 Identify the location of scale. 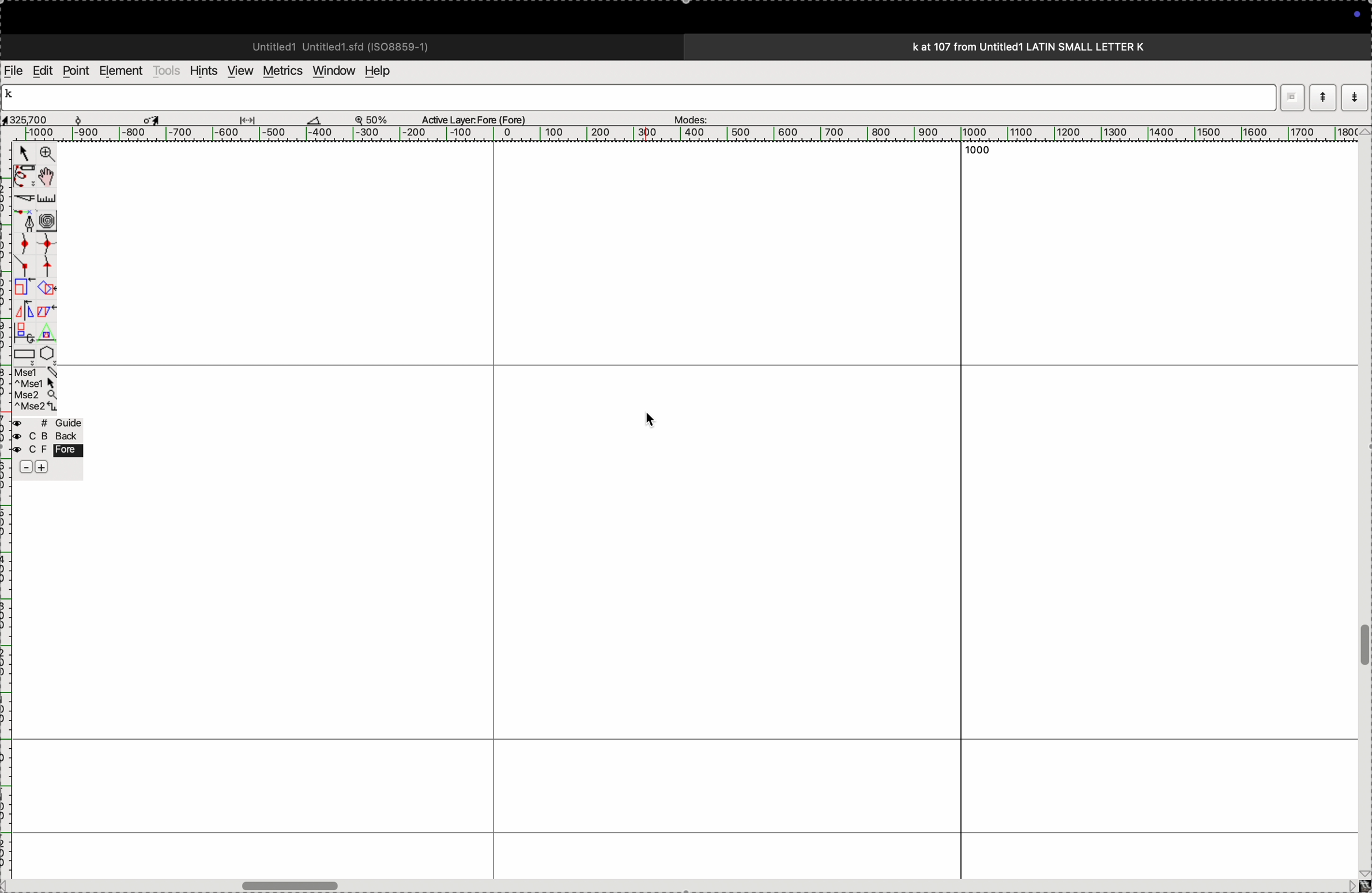
(49, 198).